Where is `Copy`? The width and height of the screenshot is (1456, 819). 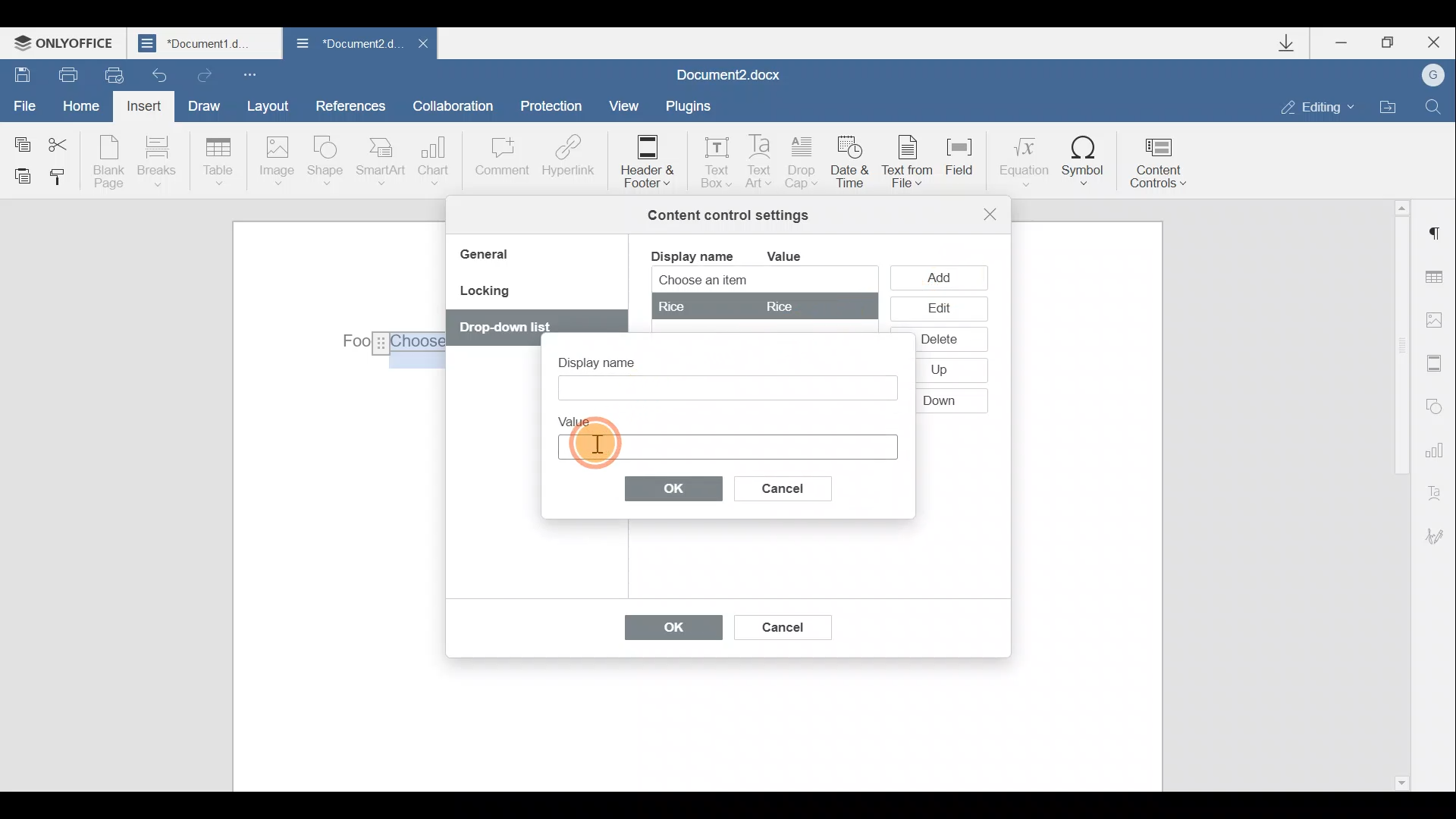 Copy is located at coordinates (21, 141).